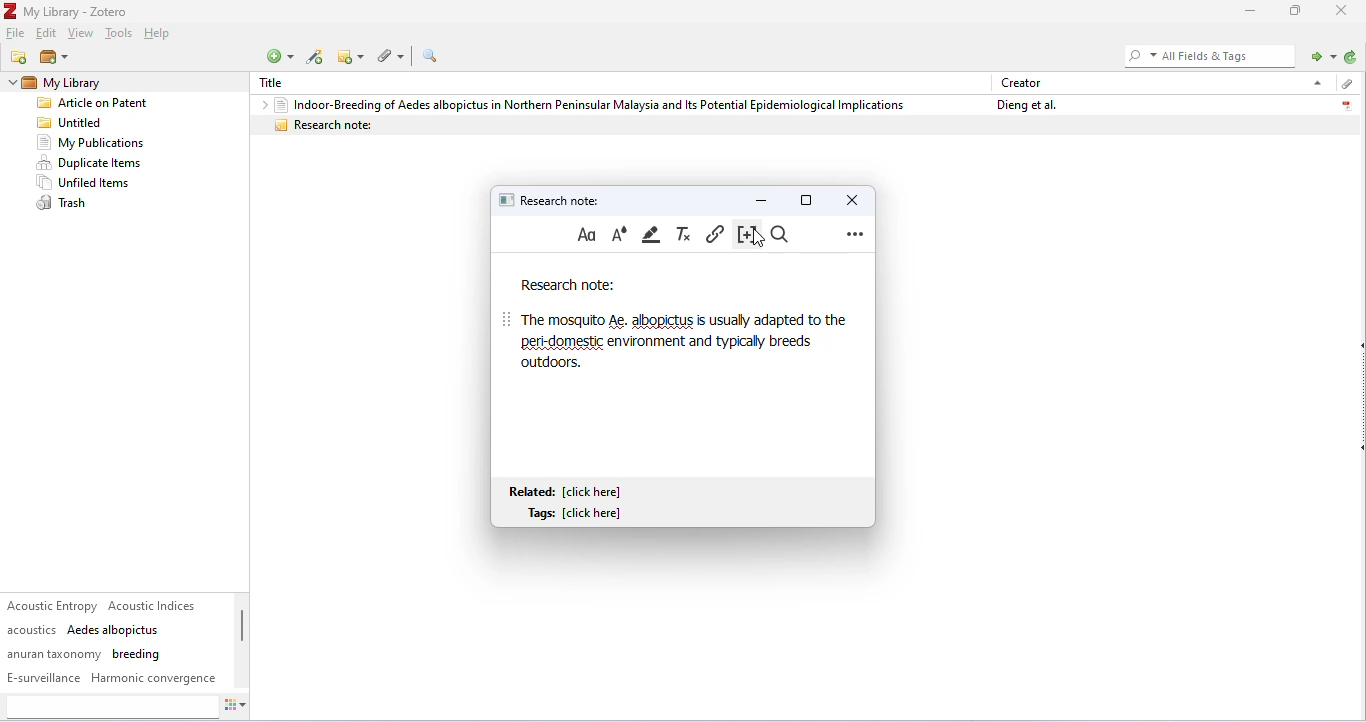 The width and height of the screenshot is (1366, 722). I want to click on Article on Patent, so click(99, 104).